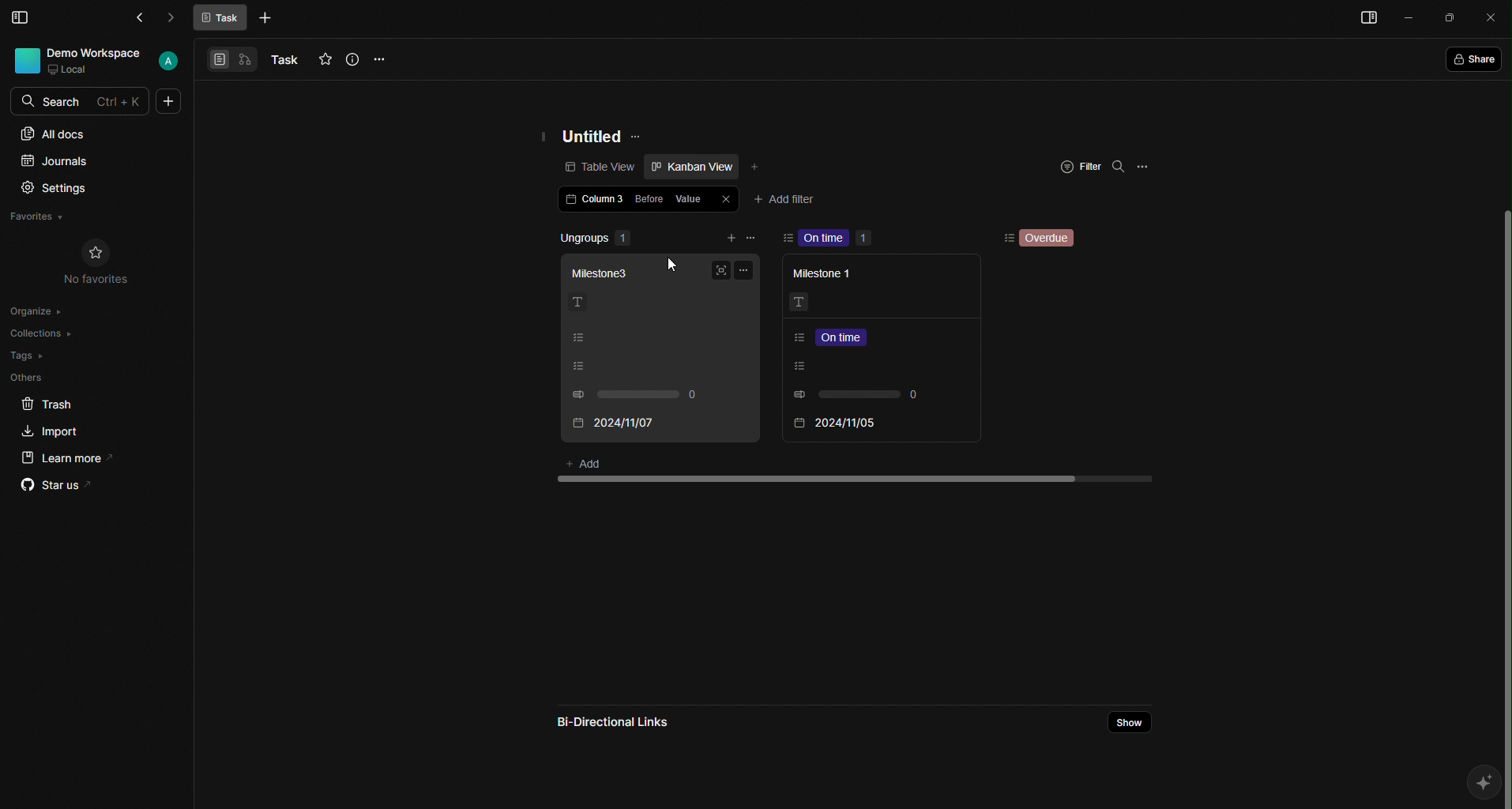  Describe the element at coordinates (619, 423) in the screenshot. I see `2024/11/05` at that location.